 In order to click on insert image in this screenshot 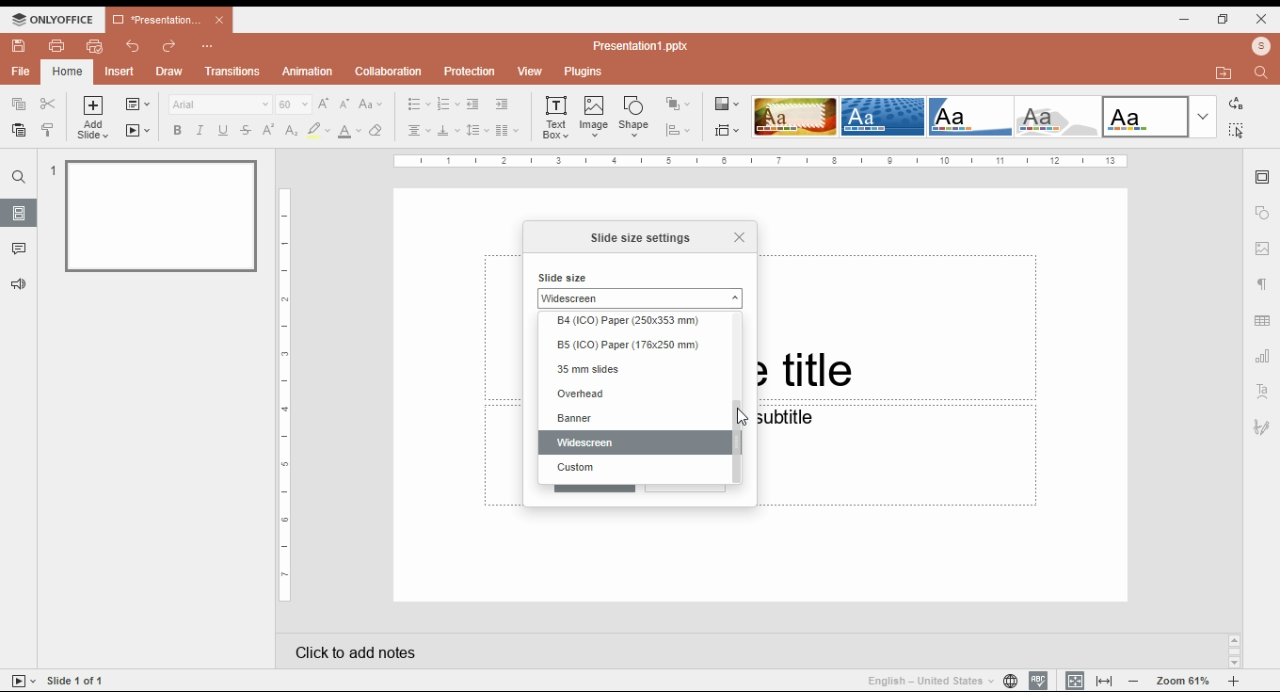, I will do `click(595, 116)`.